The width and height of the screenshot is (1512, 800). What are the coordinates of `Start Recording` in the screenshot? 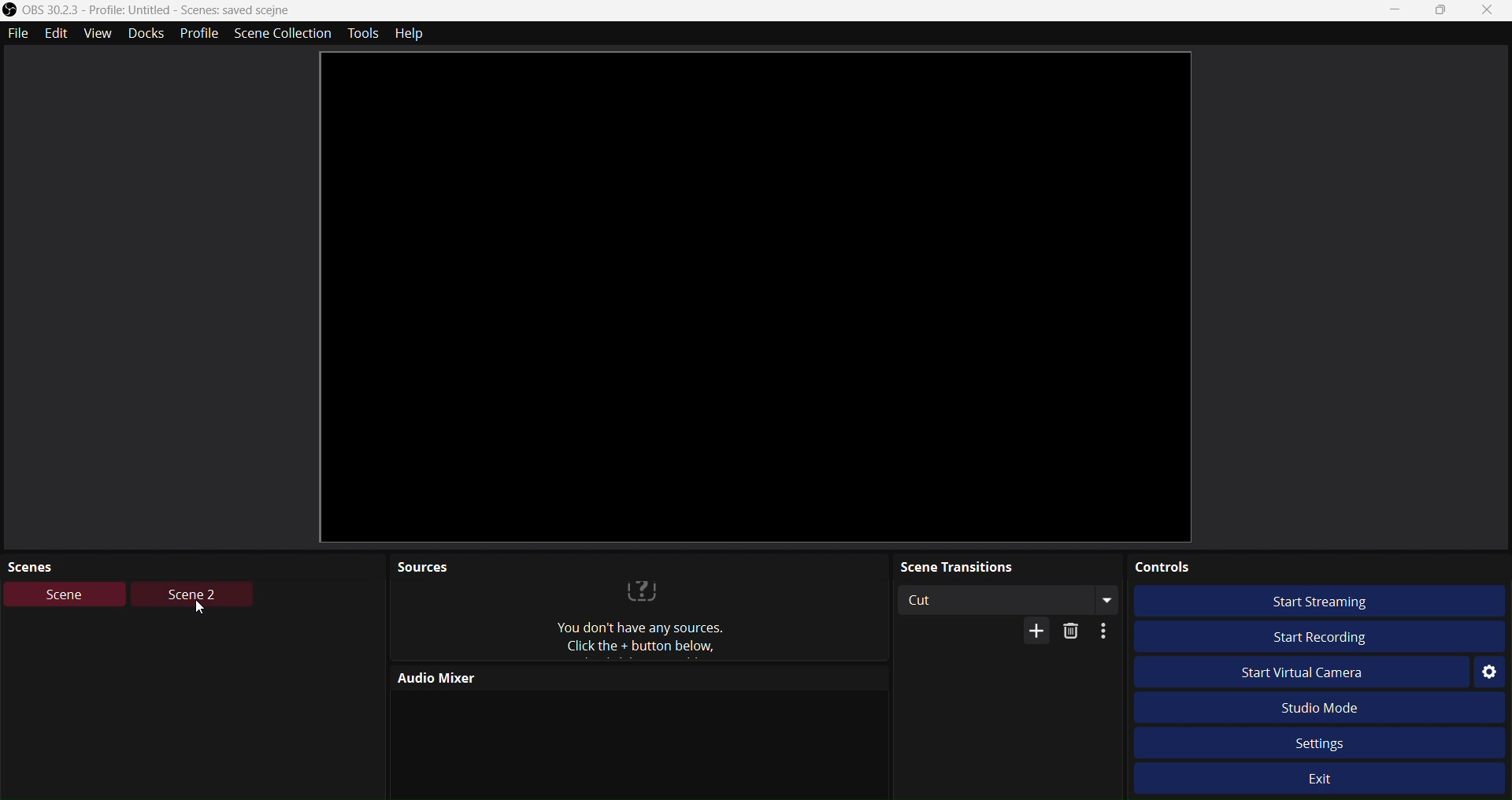 It's located at (1321, 635).